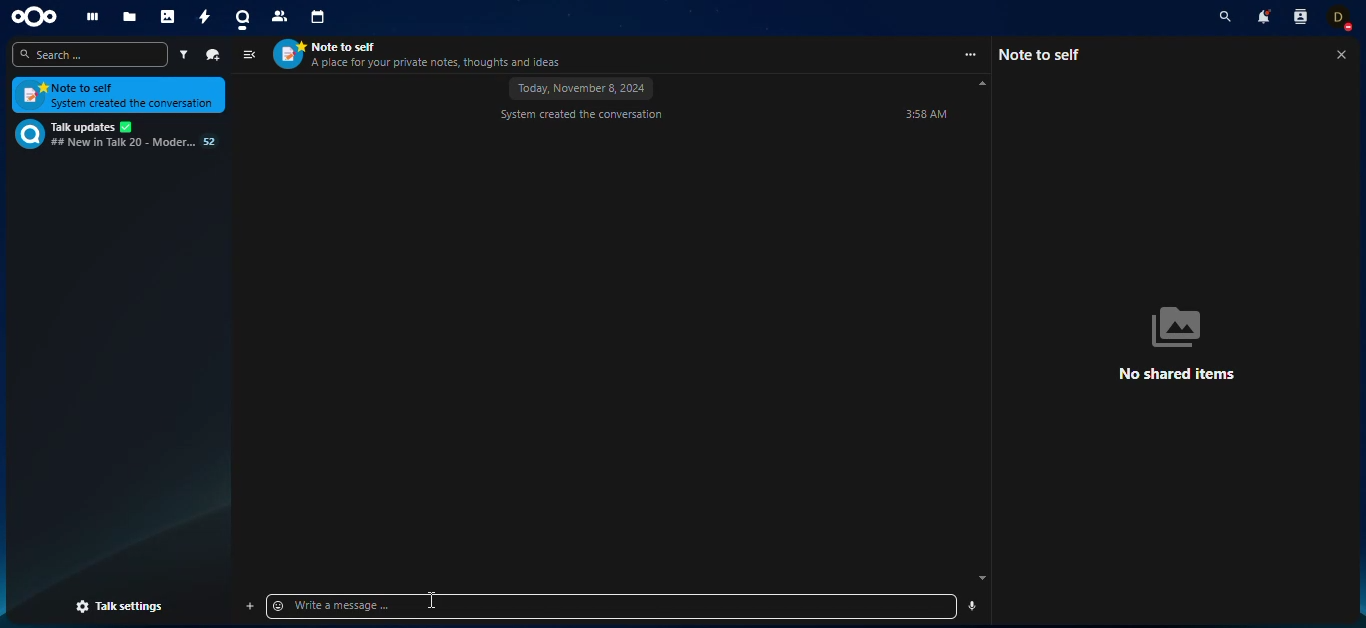 This screenshot has width=1366, height=628. What do you see at coordinates (119, 96) in the screenshot?
I see `note` at bounding box center [119, 96].